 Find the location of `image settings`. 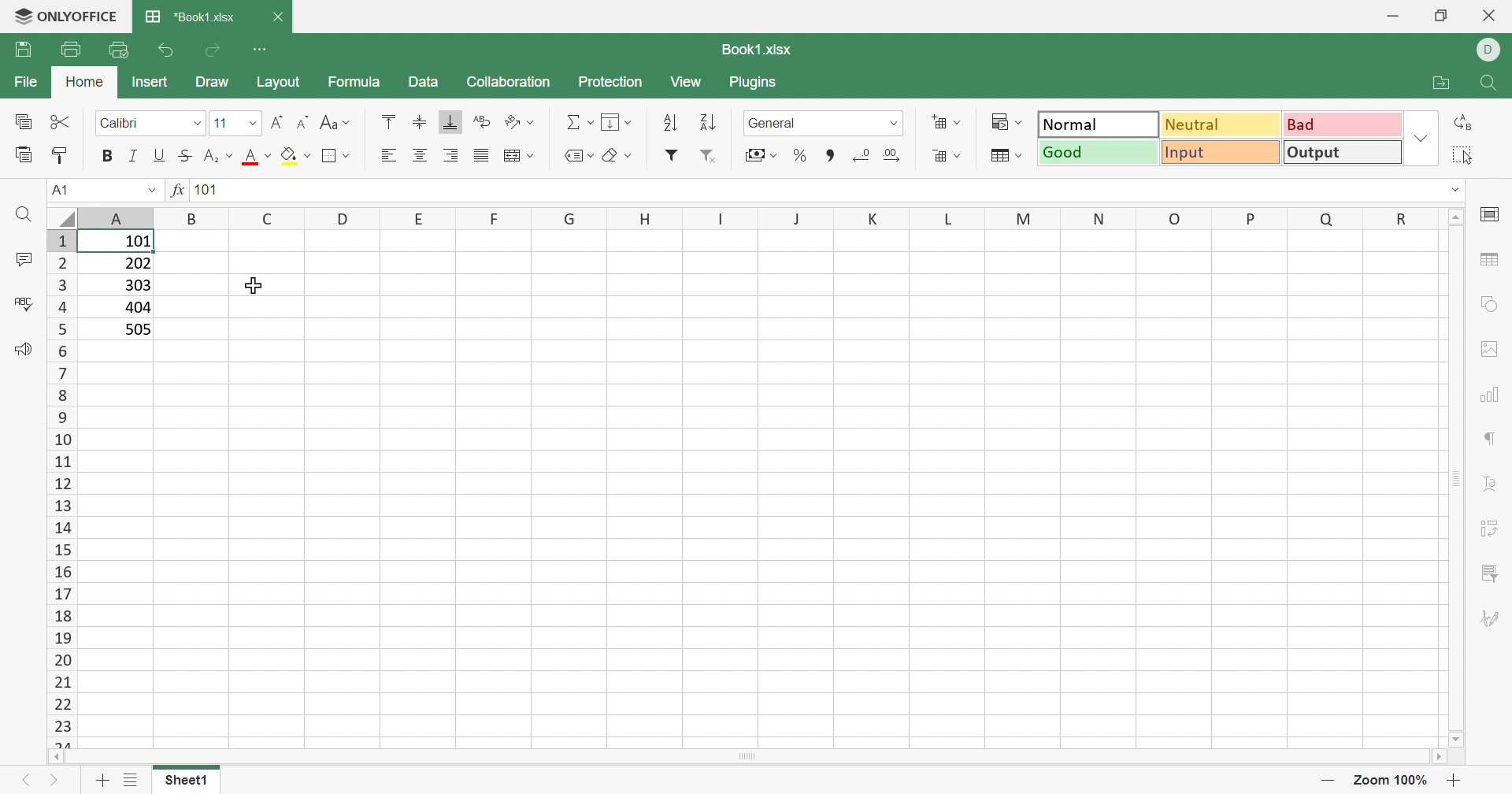

image settings is located at coordinates (1492, 347).